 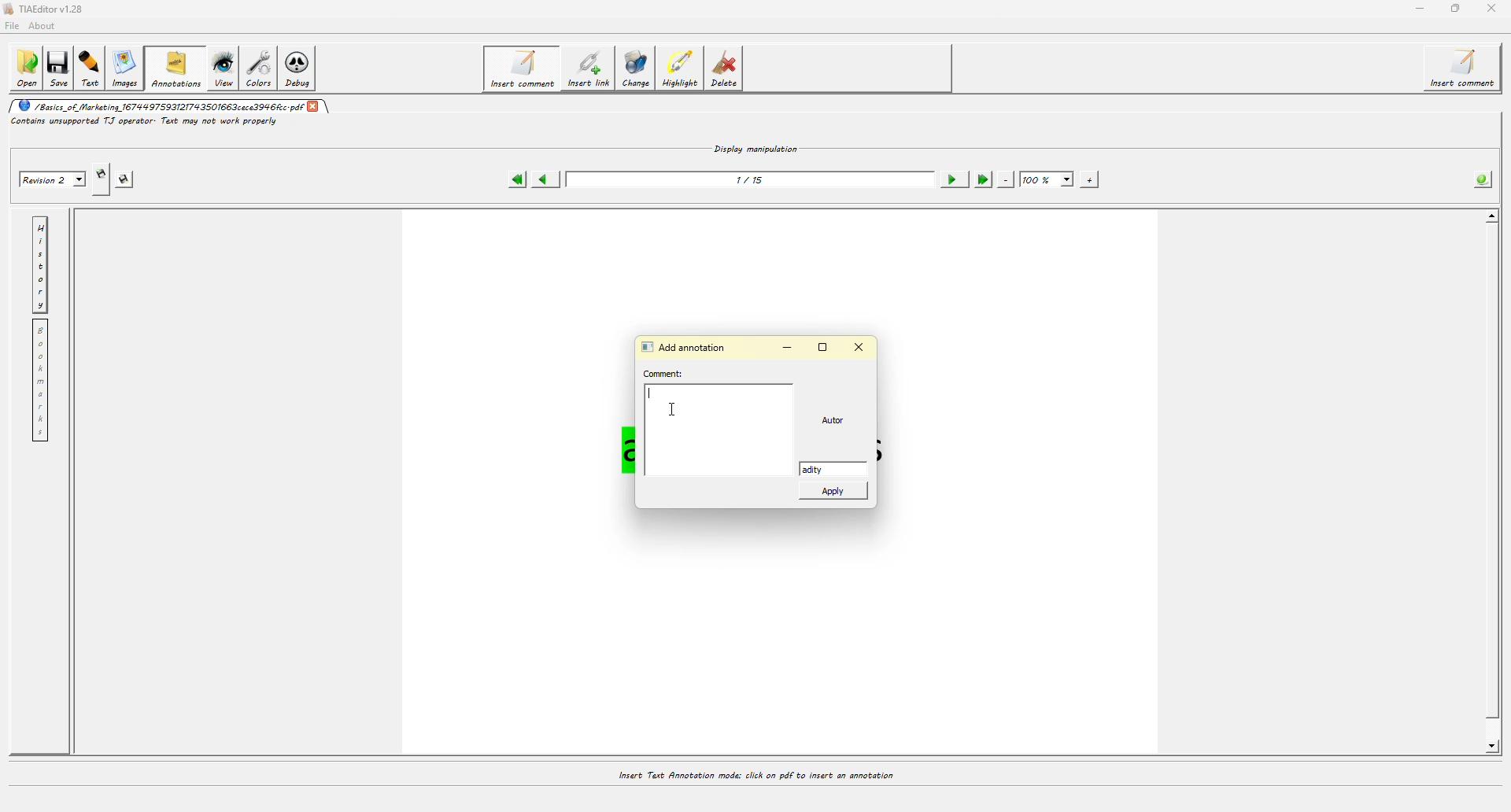 What do you see at coordinates (545, 180) in the screenshot?
I see `previous page` at bounding box center [545, 180].